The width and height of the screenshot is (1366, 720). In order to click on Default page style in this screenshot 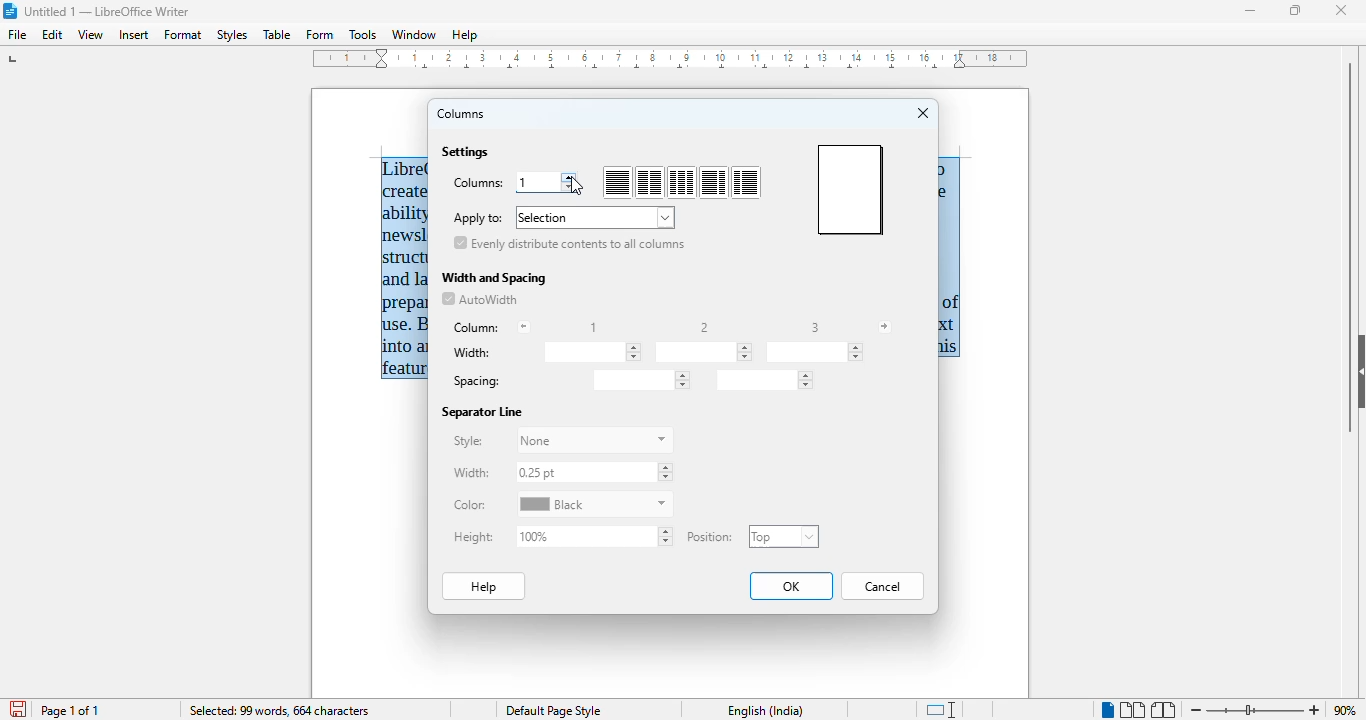, I will do `click(557, 711)`.